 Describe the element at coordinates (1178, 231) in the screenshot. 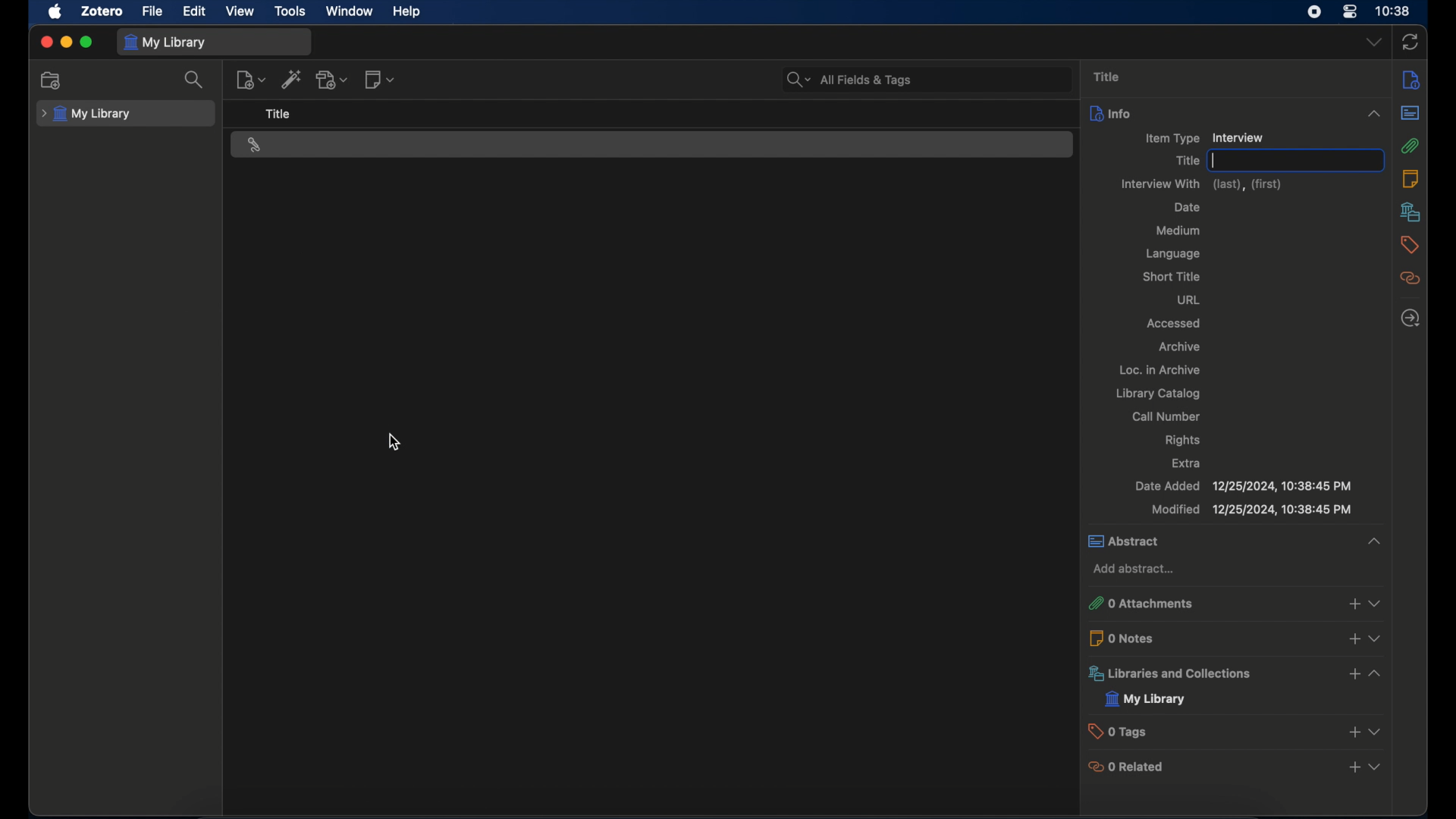

I see `medium` at that location.